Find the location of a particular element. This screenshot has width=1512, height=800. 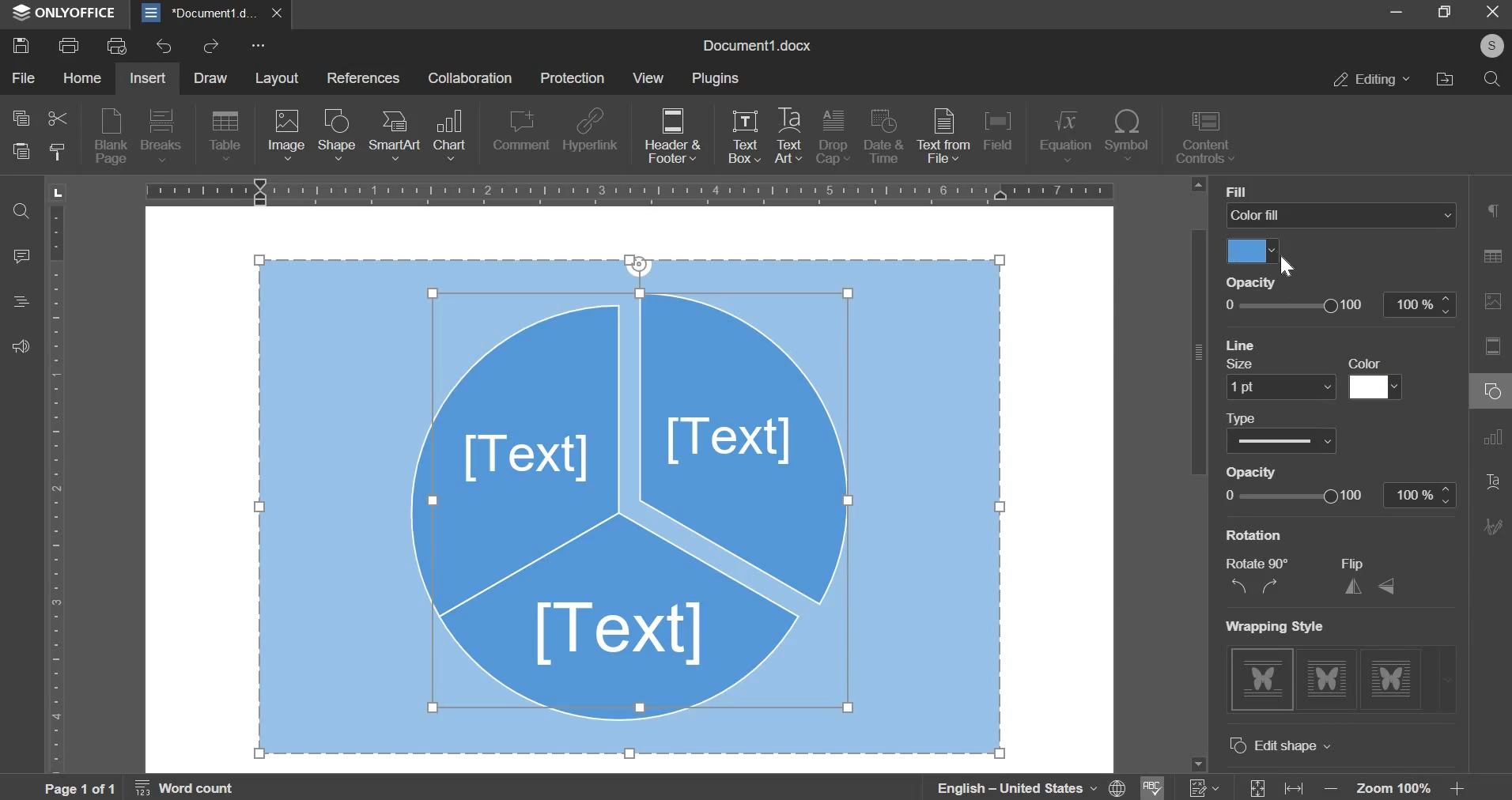

comment is located at coordinates (520, 130).